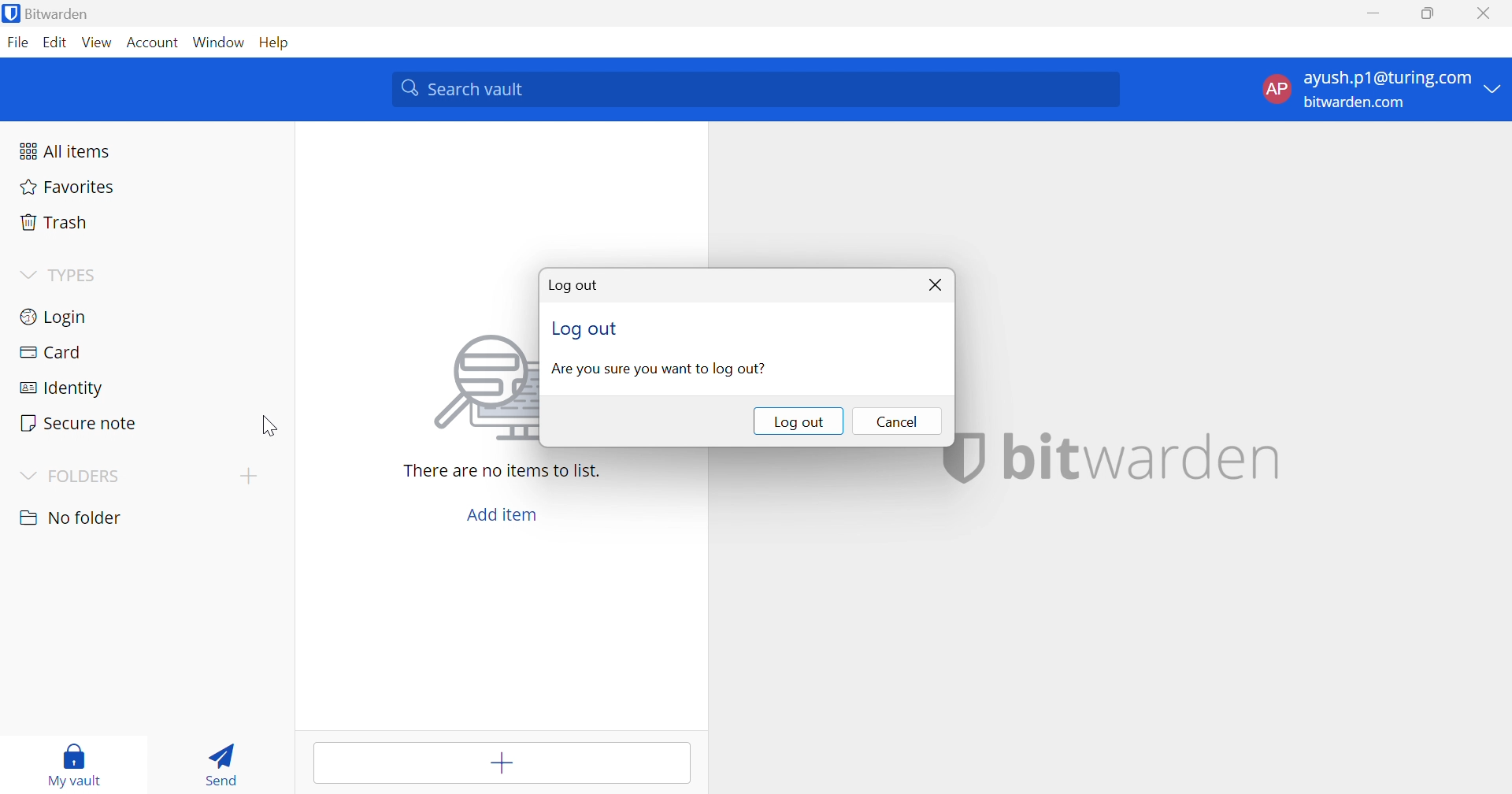 The width and height of the screenshot is (1512, 794). What do you see at coordinates (276, 42) in the screenshot?
I see `Help` at bounding box center [276, 42].